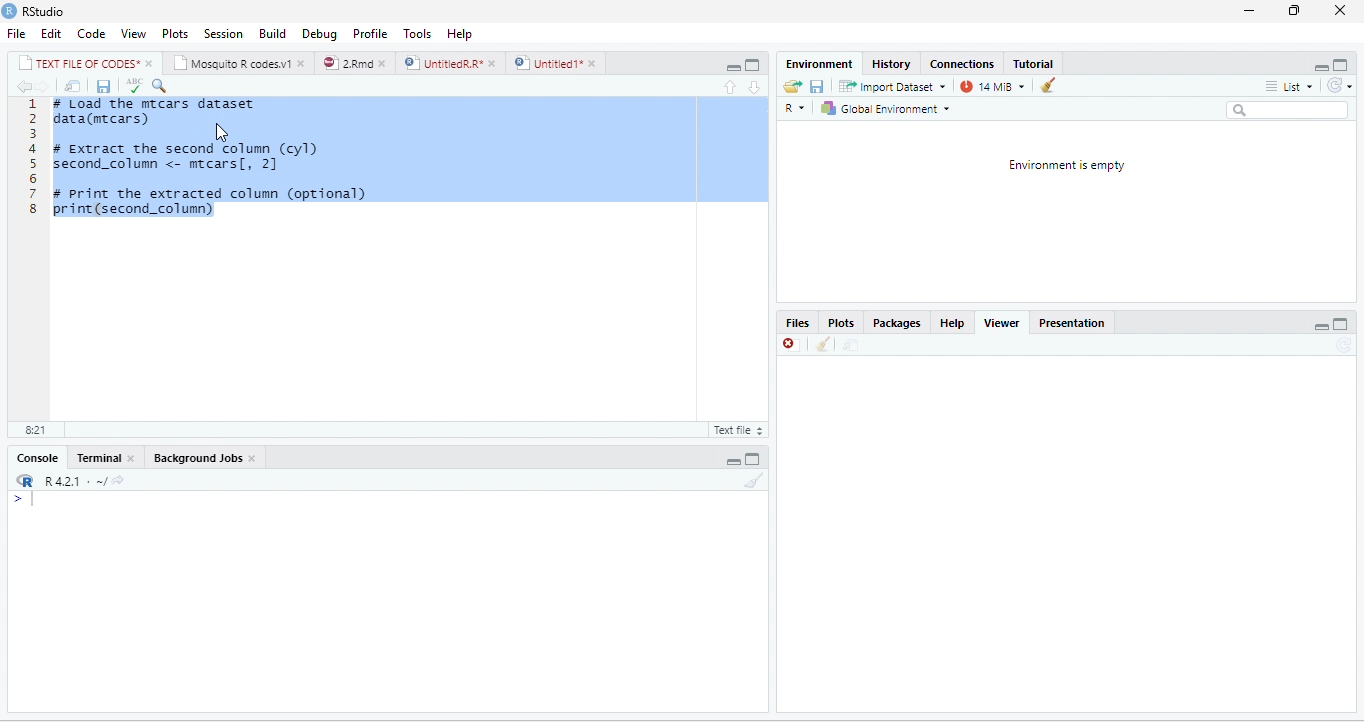 The width and height of the screenshot is (1364, 722). Describe the element at coordinates (1077, 323) in the screenshot. I see `Presentation` at that location.